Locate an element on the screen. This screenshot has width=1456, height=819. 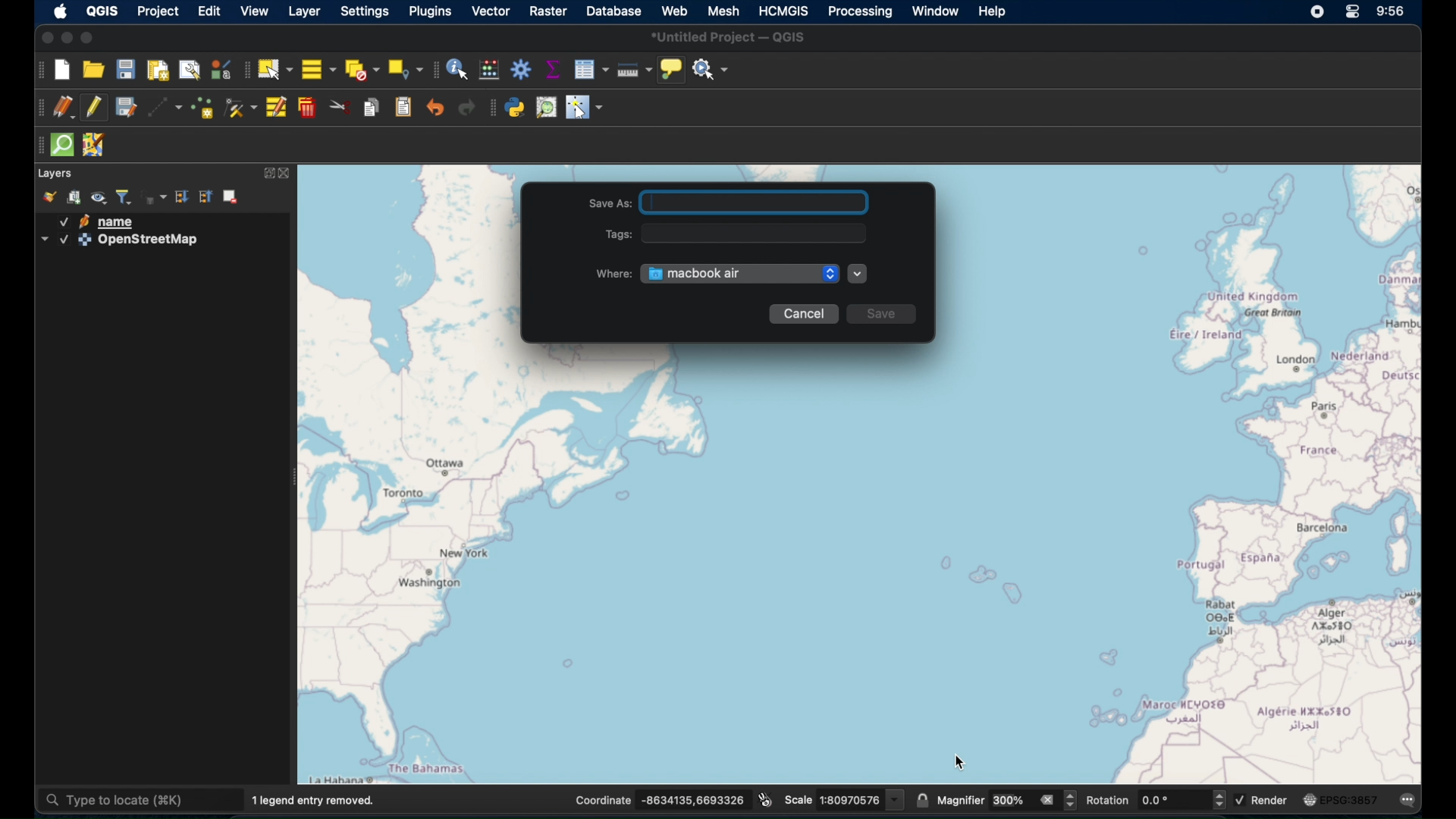
copy features is located at coordinates (372, 107).